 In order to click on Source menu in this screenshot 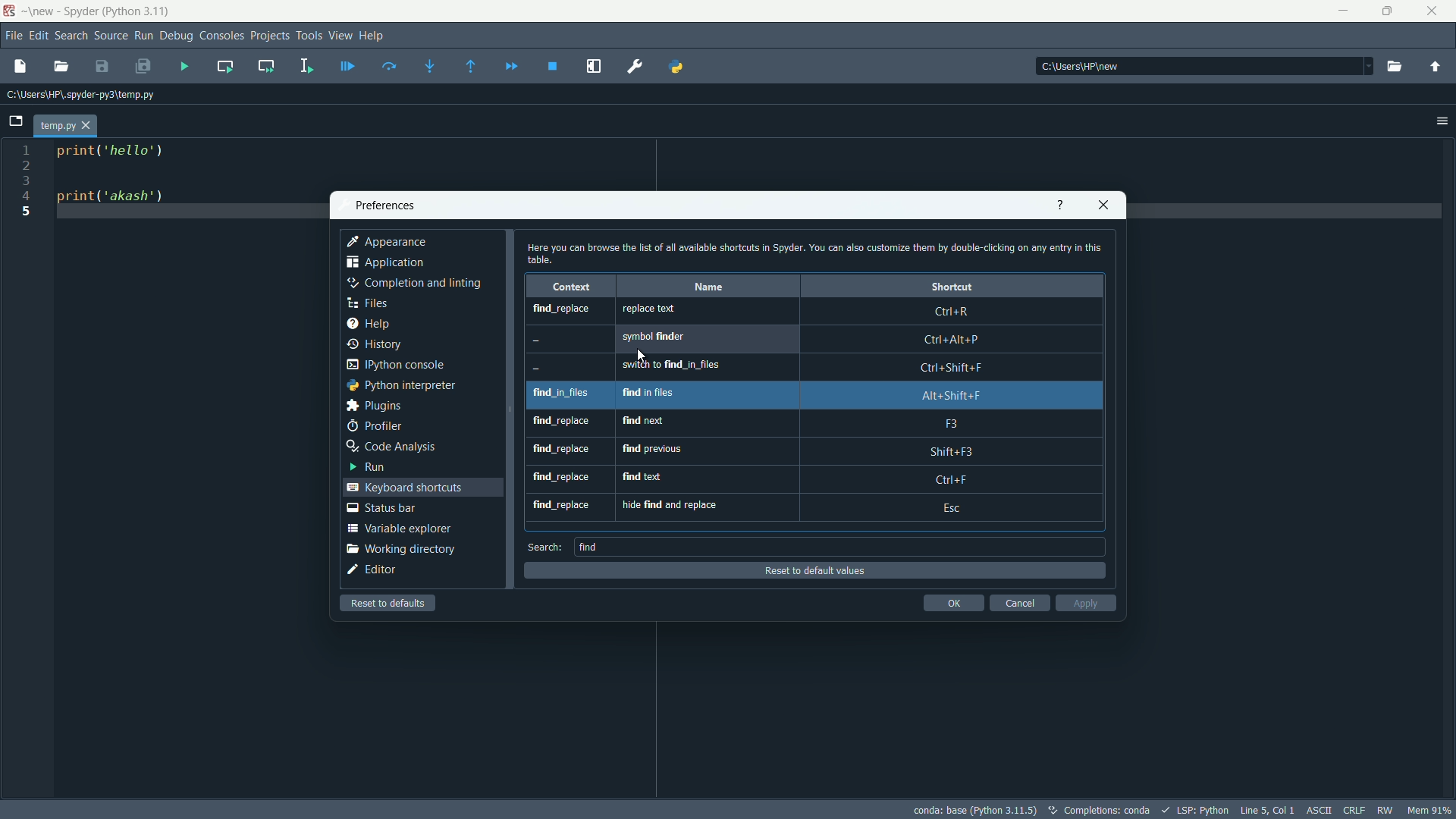, I will do `click(111, 34)`.